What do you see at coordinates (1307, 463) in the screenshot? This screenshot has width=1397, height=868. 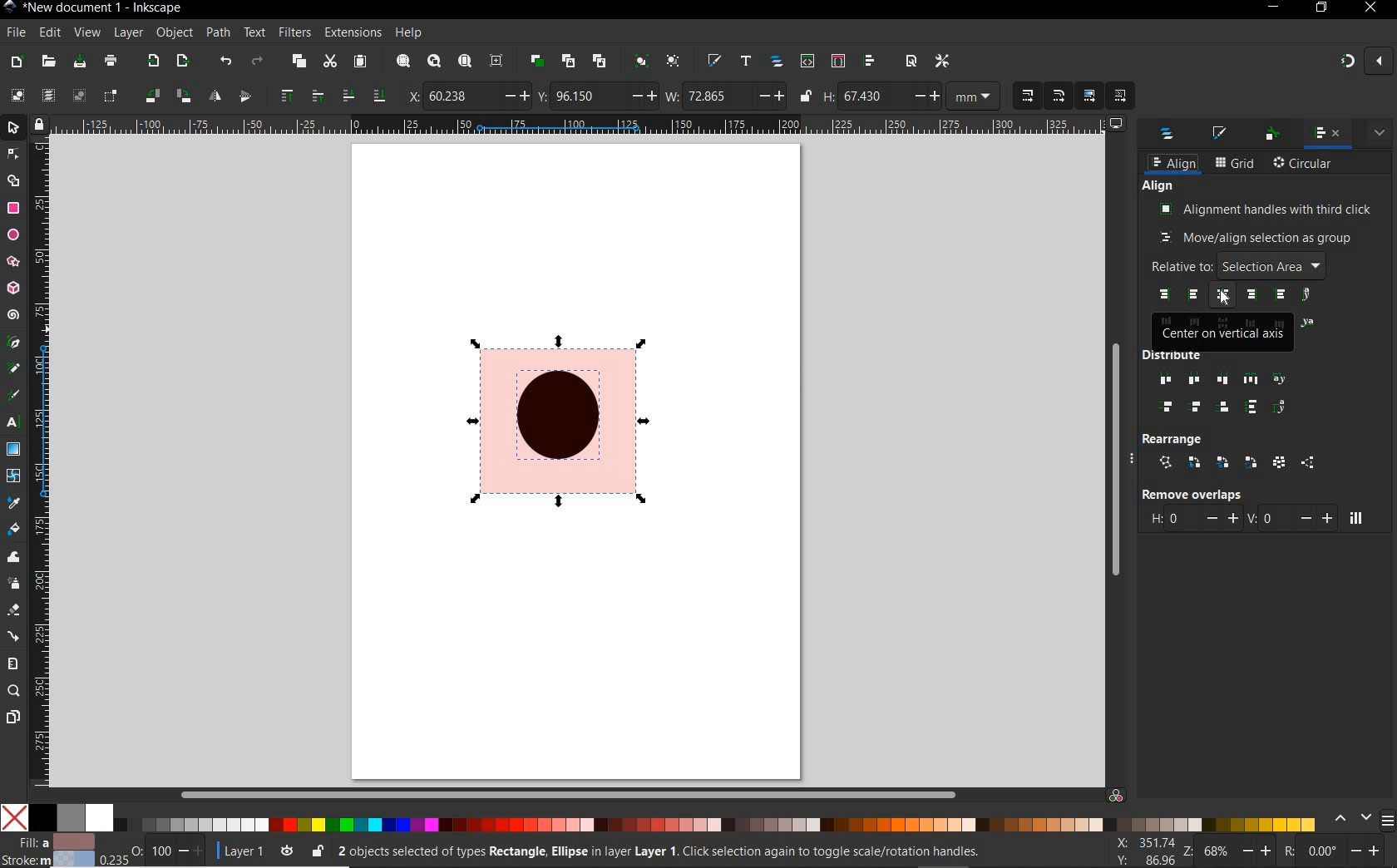 I see `UNCLUMP` at bounding box center [1307, 463].